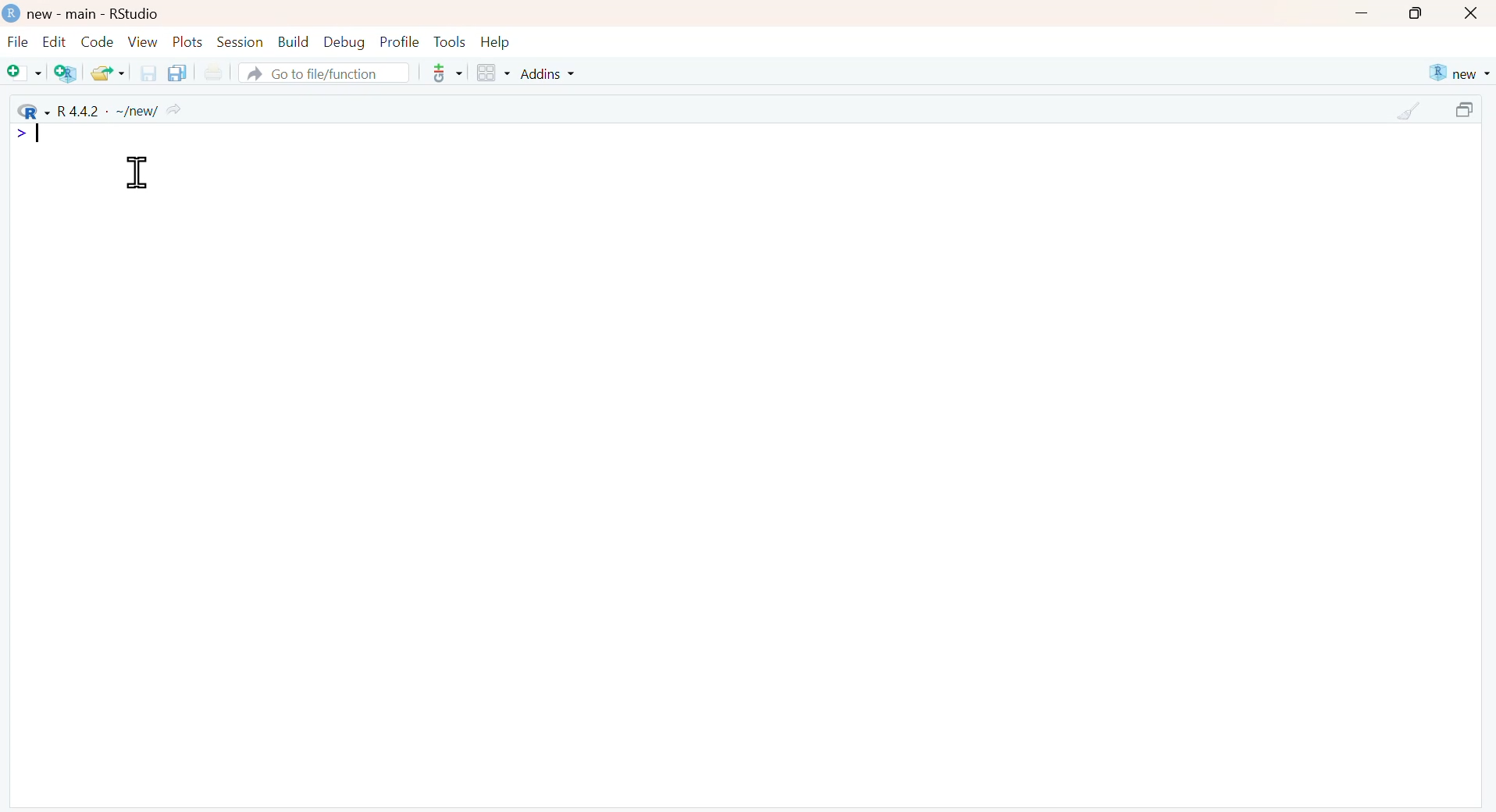  Describe the element at coordinates (107, 72) in the screenshot. I see `open an existing file` at that location.